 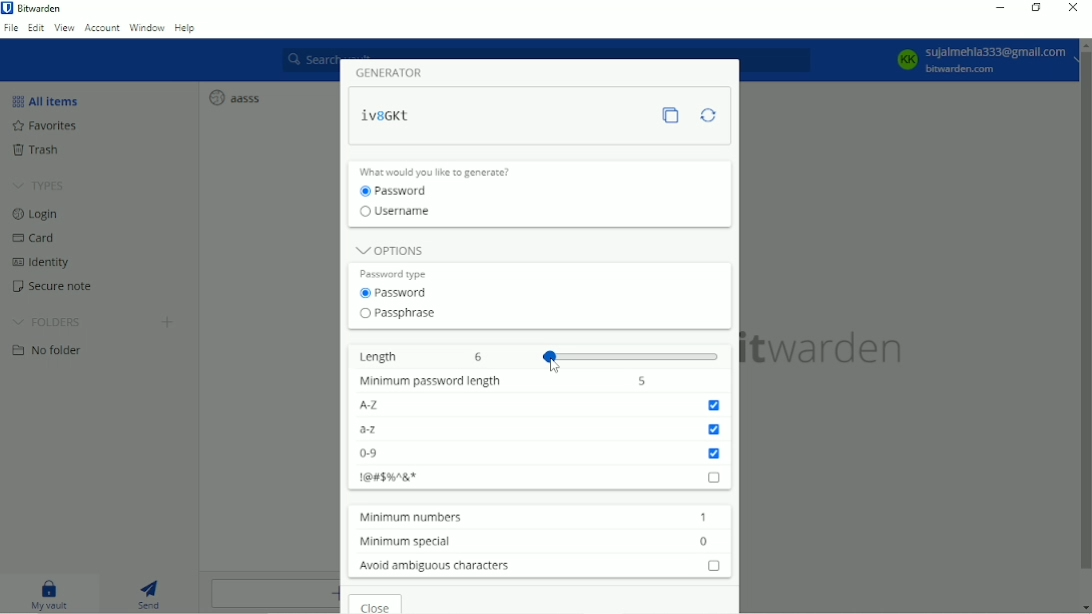 I want to click on 0-9, so click(x=540, y=454).